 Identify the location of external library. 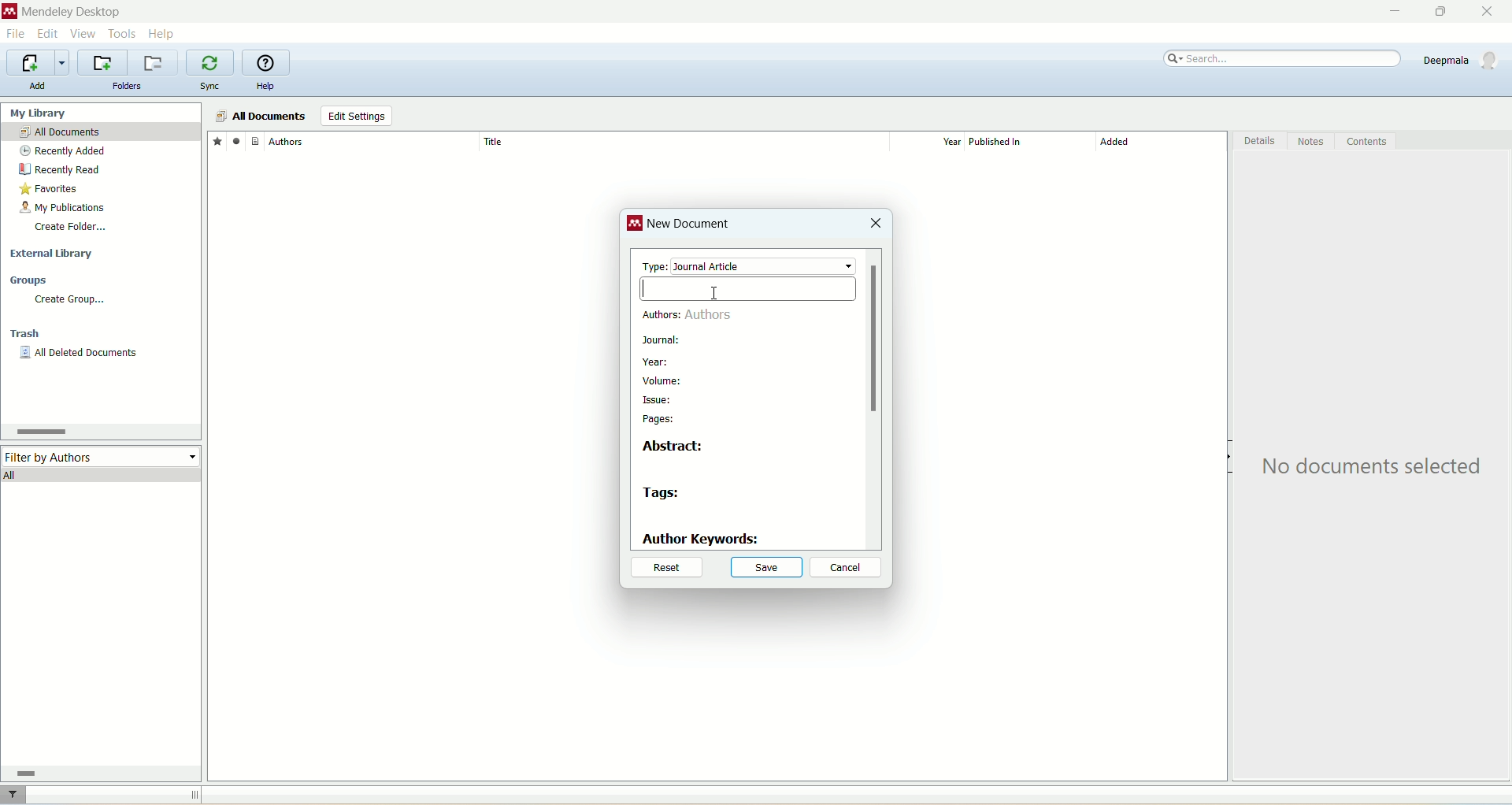
(54, 254).